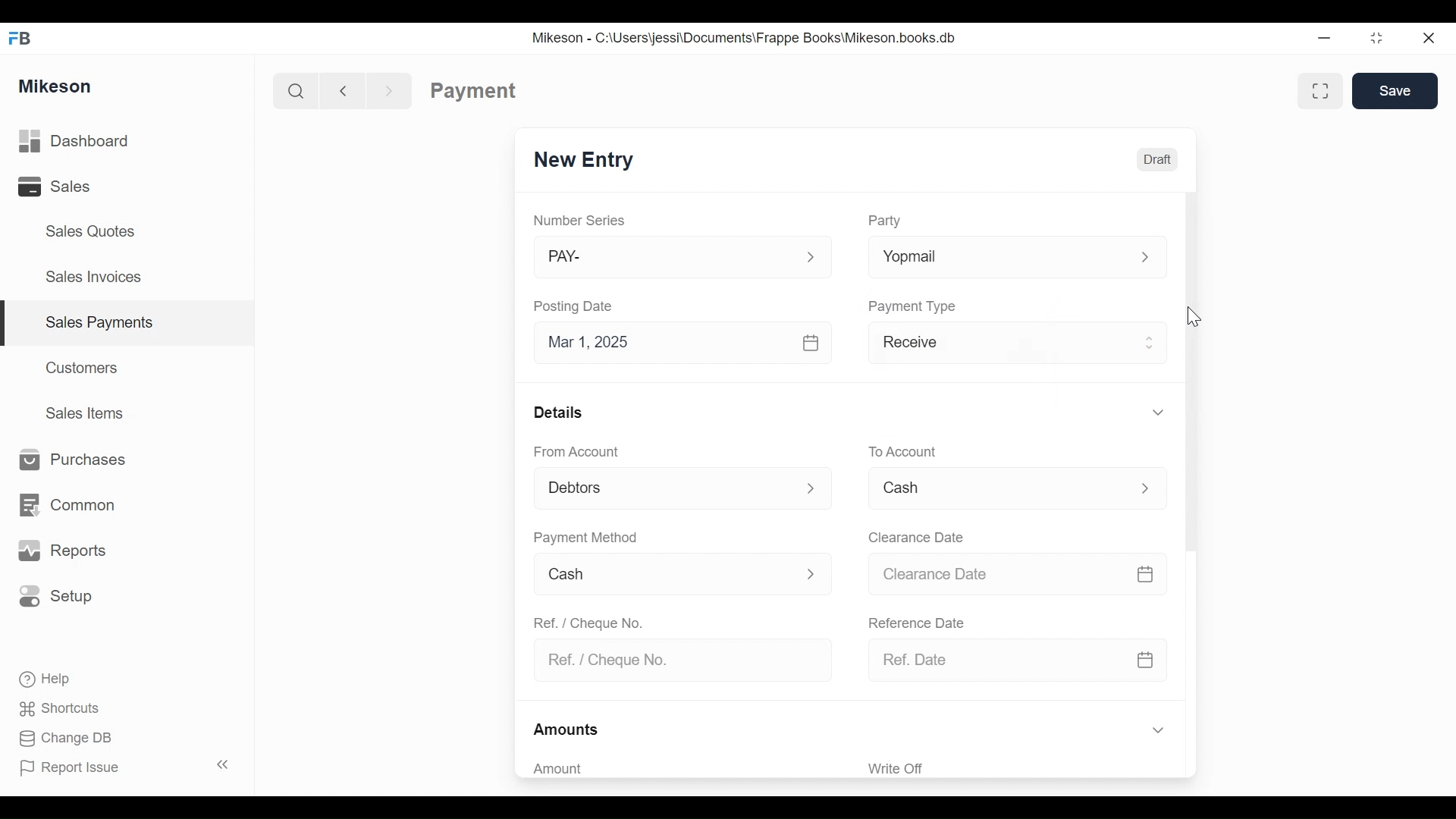 This screenshot has height=819, width=1456. Describe the element at coordinates (1023, 573) in the screenshot. I see `Clearance date` at that location.